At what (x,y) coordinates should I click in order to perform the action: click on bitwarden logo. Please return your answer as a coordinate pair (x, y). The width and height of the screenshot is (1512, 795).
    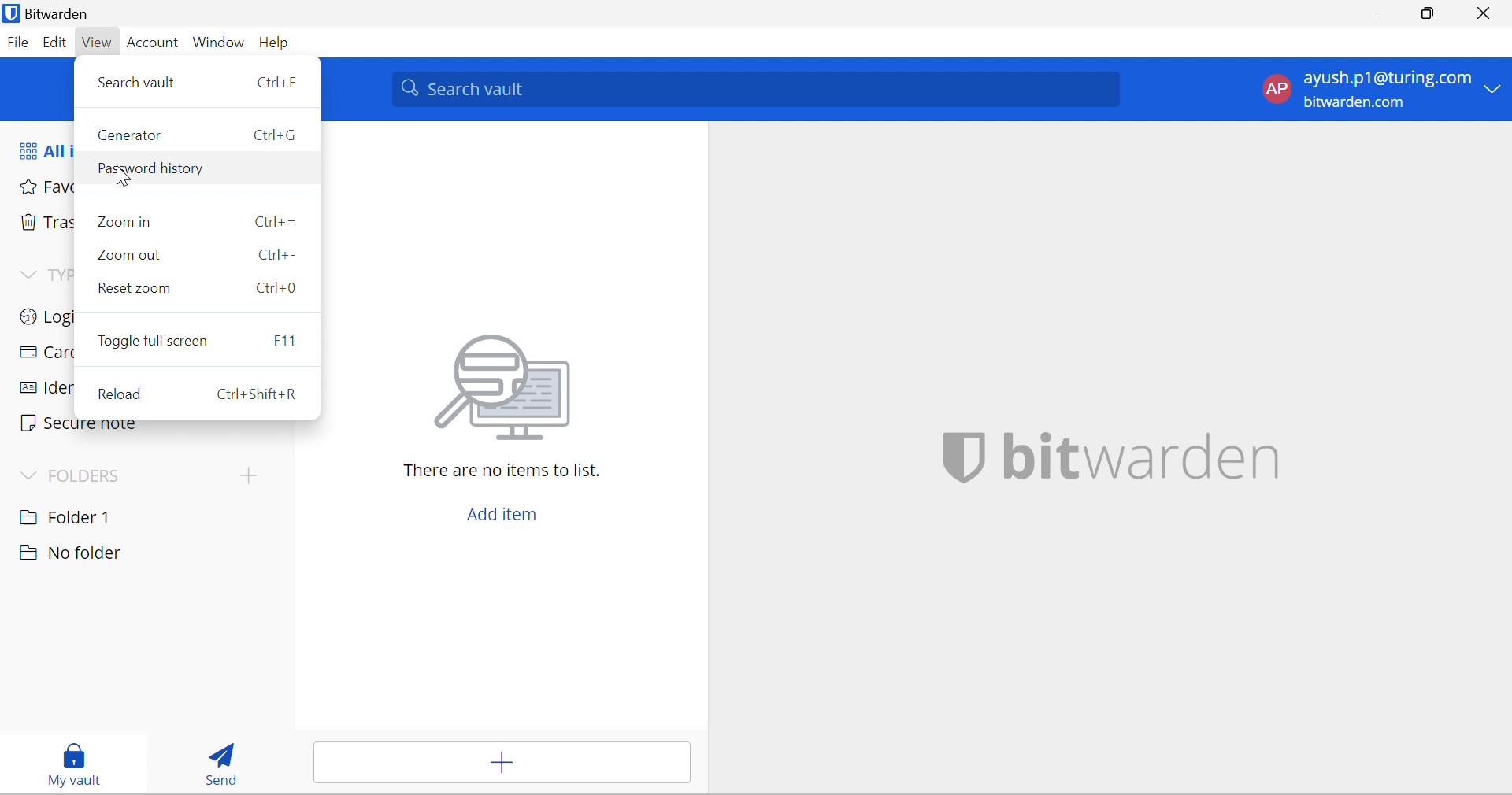
    Looking at the image, I should click on (956, 460).